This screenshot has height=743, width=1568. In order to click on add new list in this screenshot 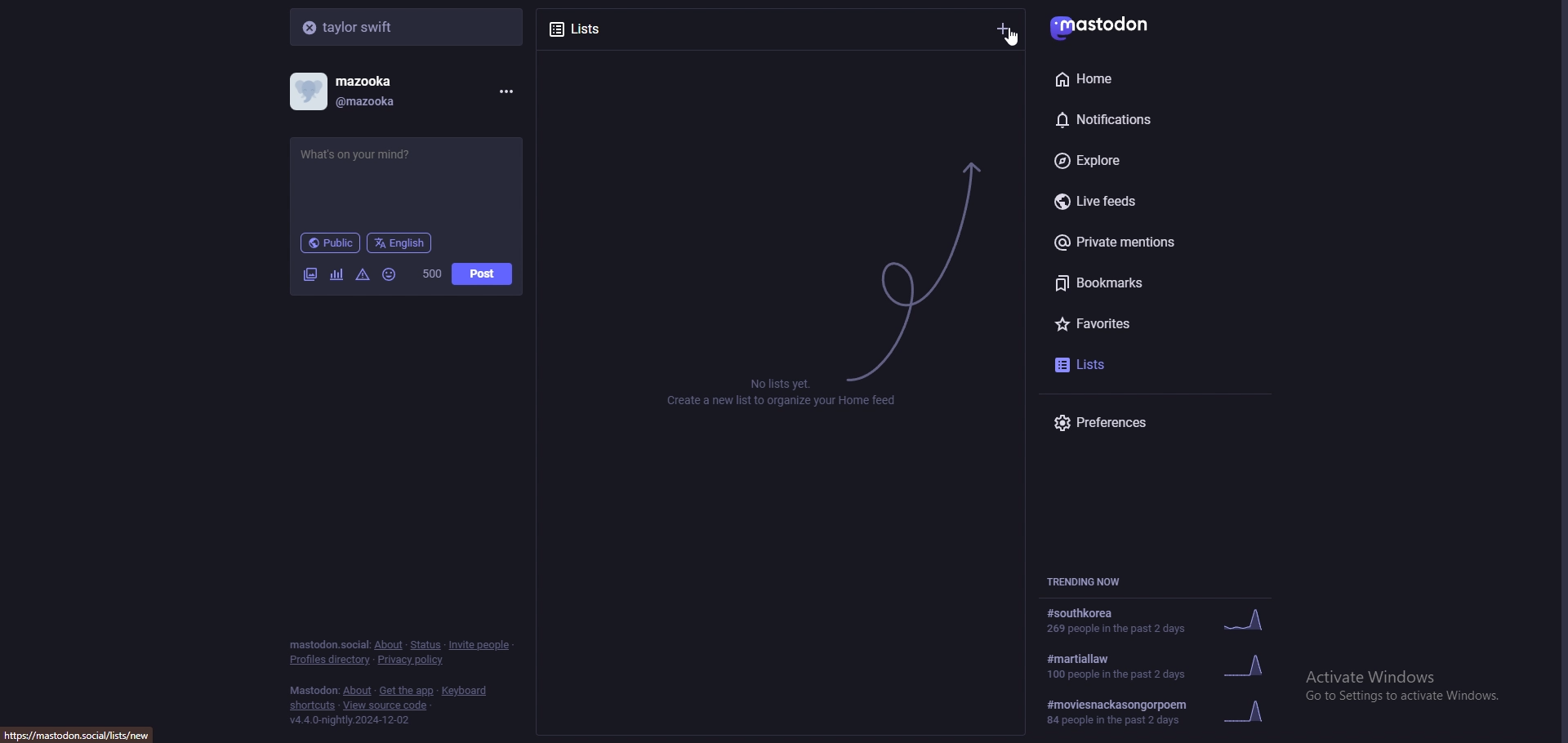, I will do `click(1004, 29)`.